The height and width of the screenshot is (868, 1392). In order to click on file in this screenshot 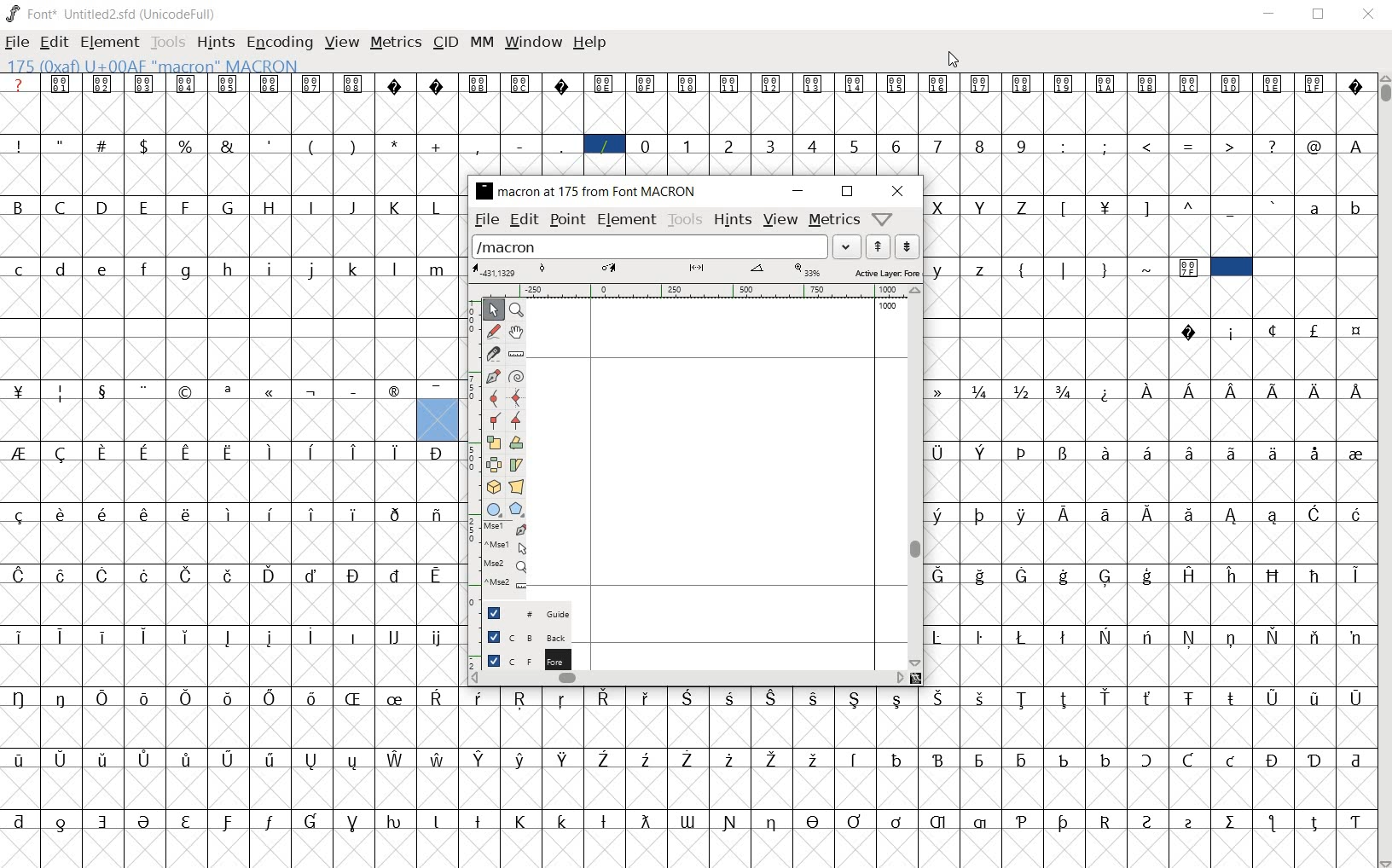, I will do `click(484, 219)`.